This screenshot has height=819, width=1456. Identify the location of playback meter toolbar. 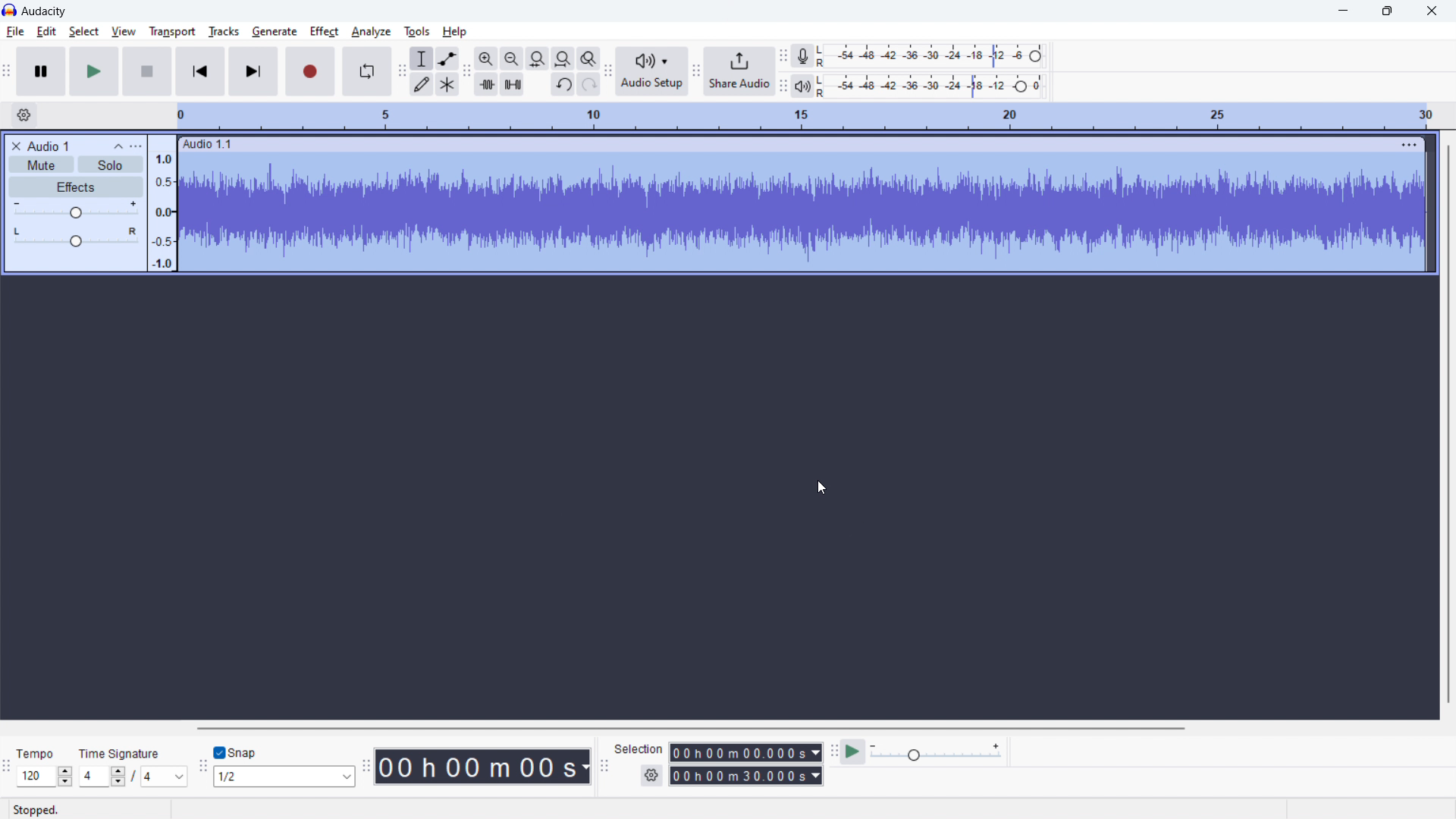
(782, 86).